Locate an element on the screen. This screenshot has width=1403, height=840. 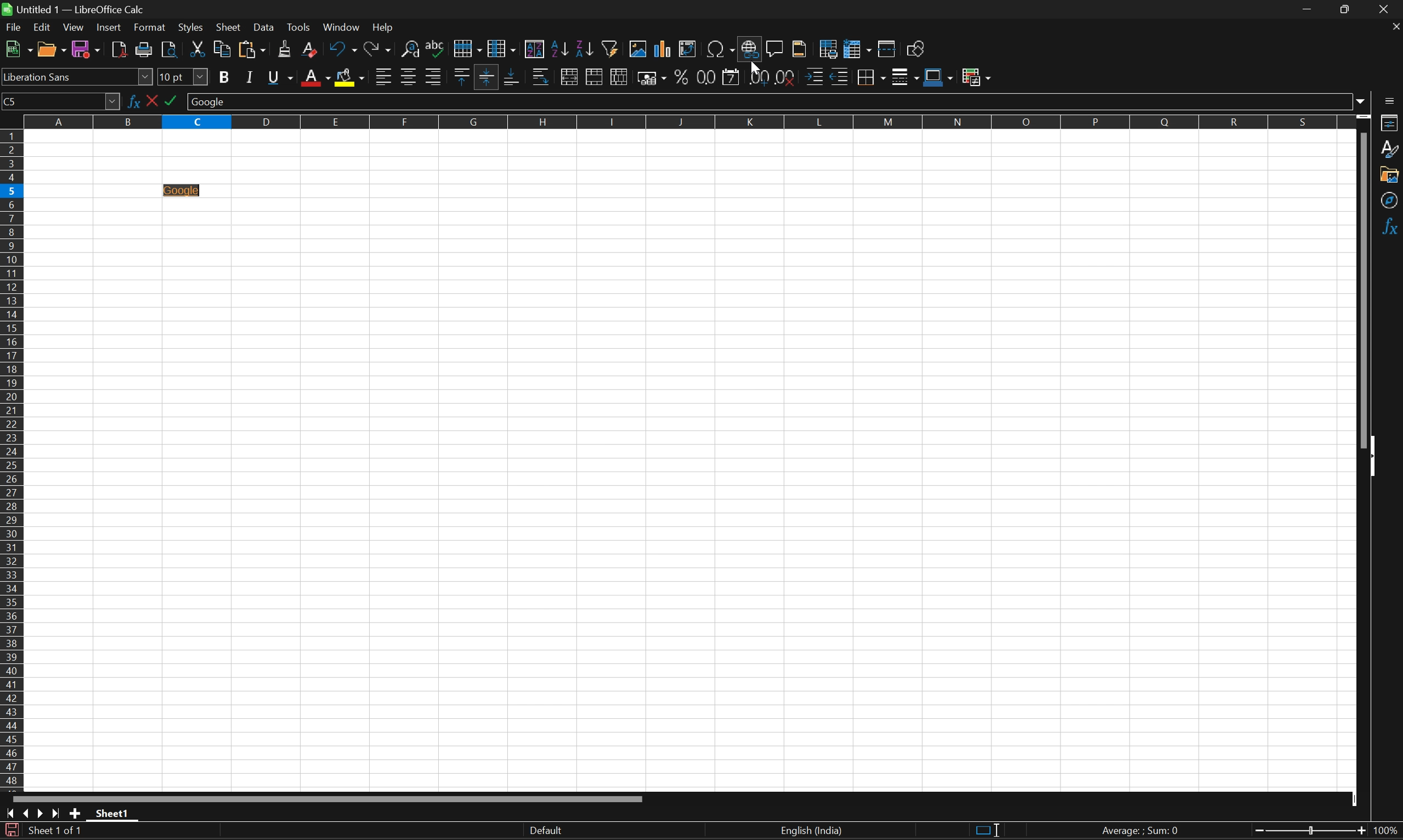
Border style is located at coordinates (906, 76).